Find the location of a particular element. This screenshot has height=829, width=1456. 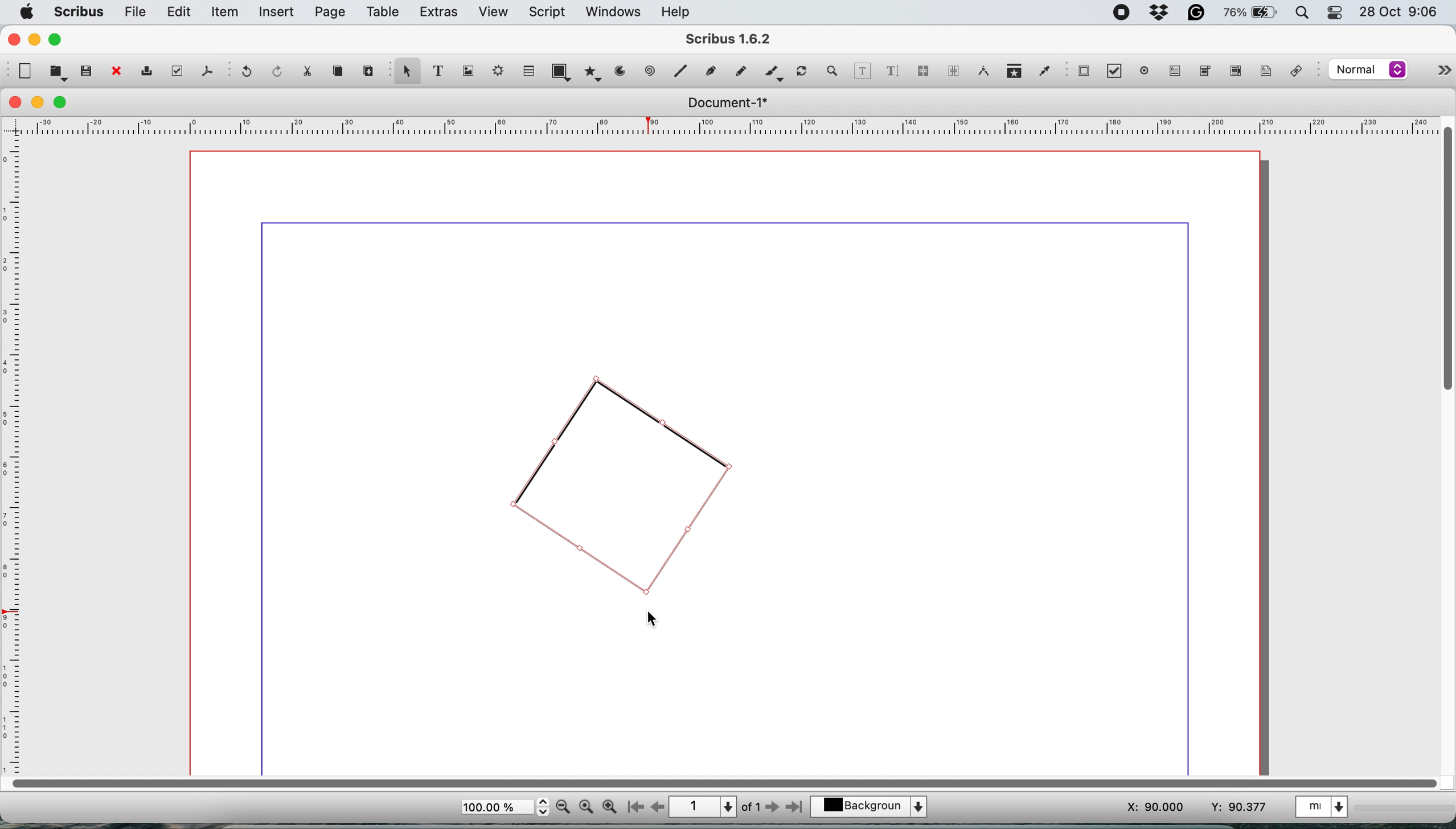

close is located at coordinates (116, 72).